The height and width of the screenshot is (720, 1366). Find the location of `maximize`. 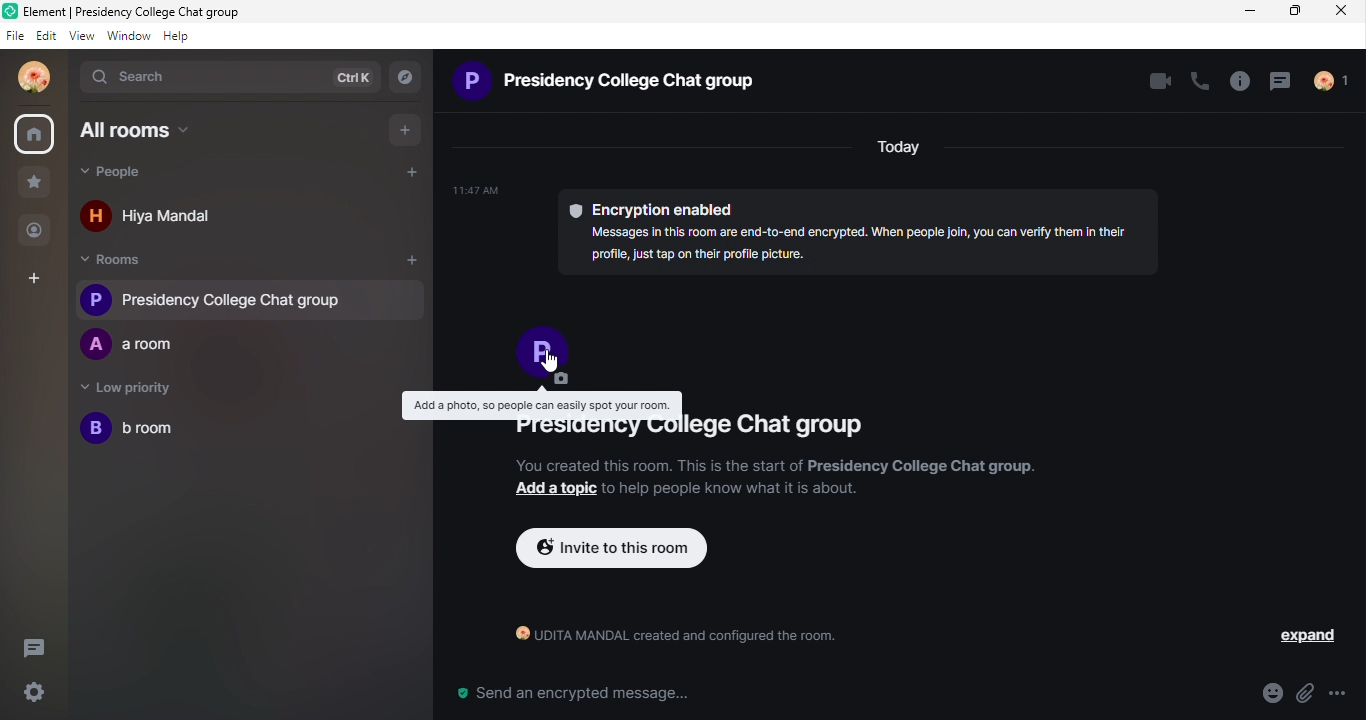

maximize is located at coordinates (1297, 13).